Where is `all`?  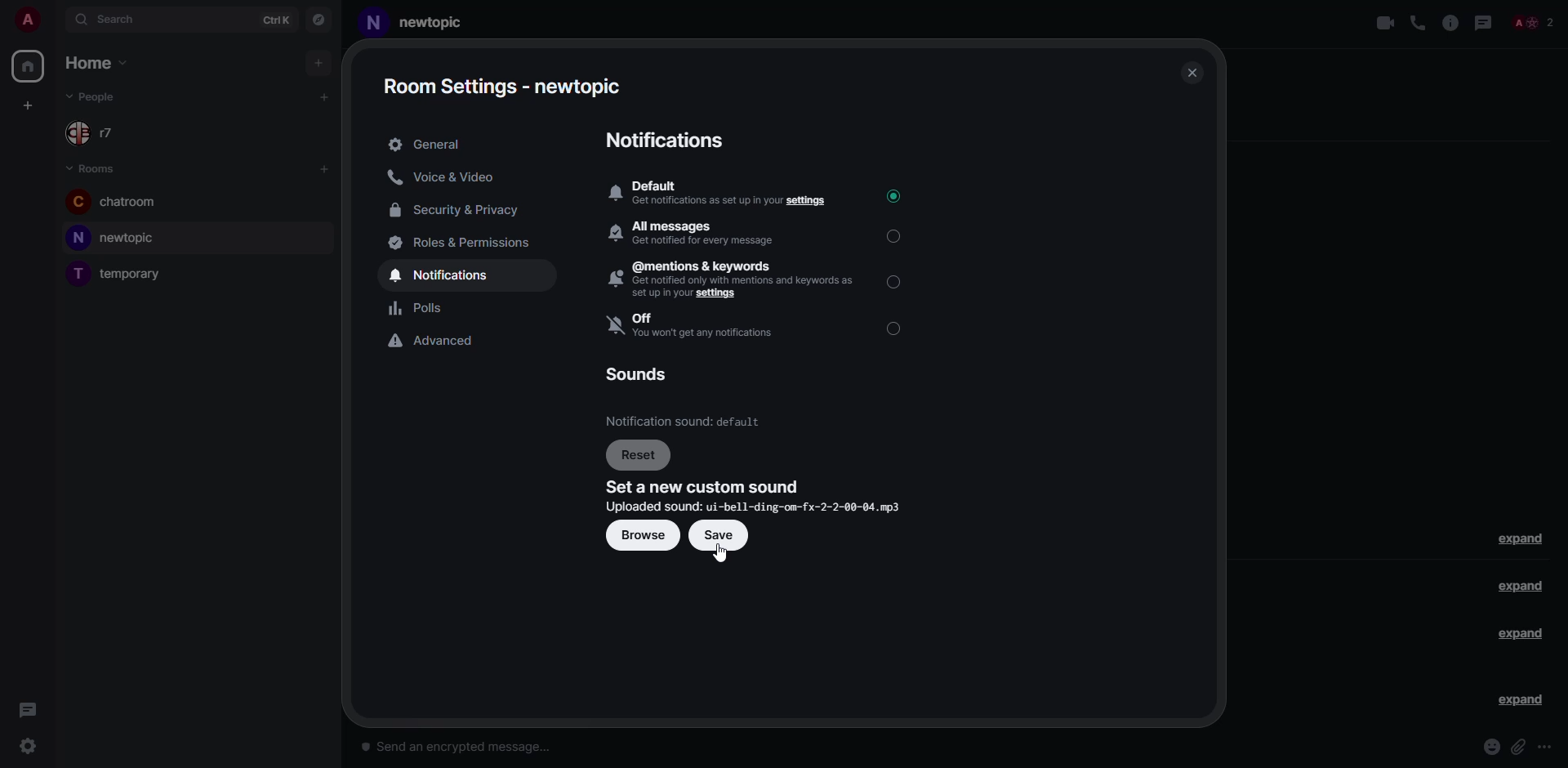
all is located at coordinates (701, 233).